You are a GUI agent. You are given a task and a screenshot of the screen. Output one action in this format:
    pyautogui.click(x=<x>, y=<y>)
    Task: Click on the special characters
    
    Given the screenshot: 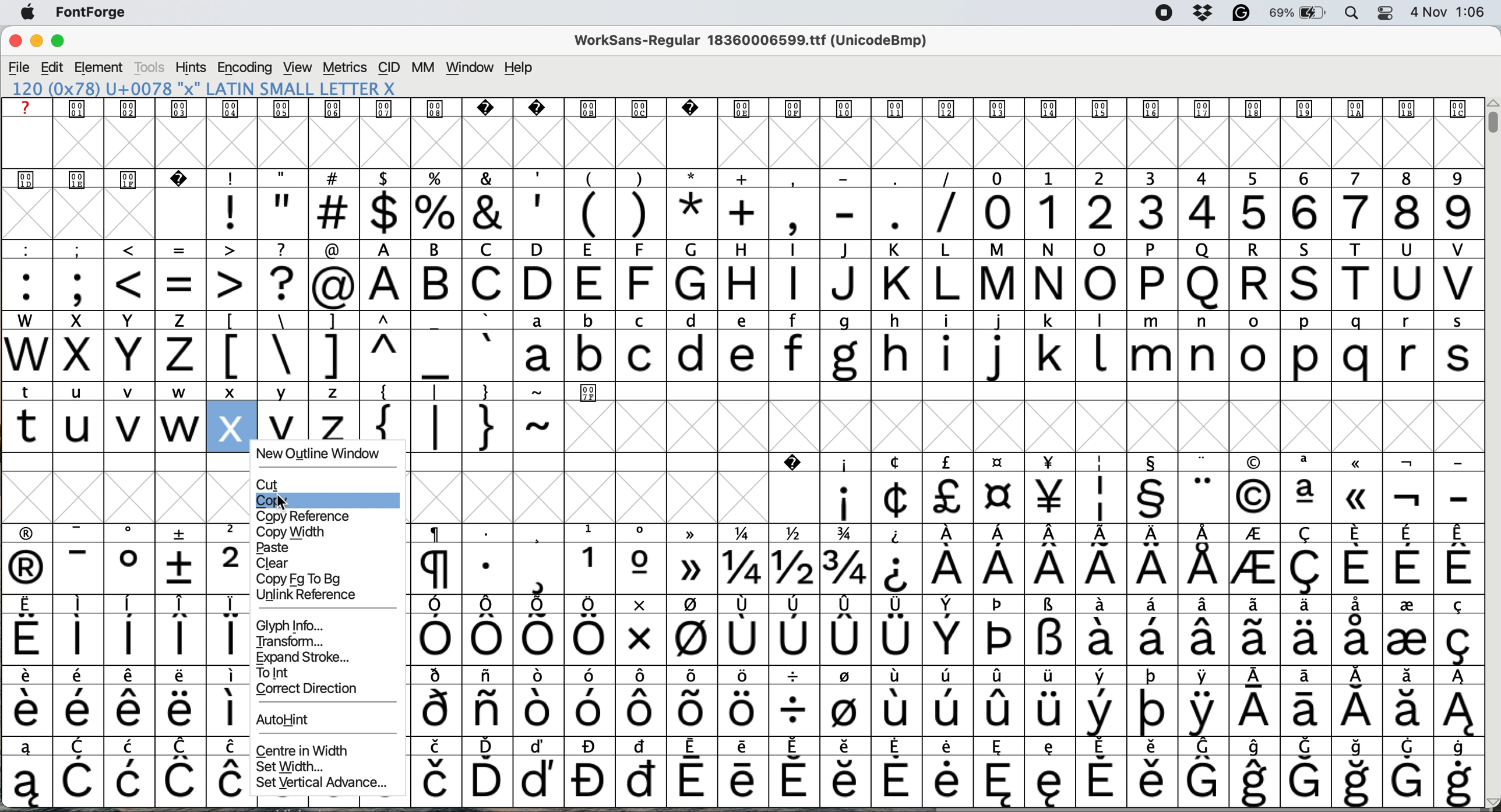 What is the action you would take?
    pyautogui.click(x=946, y=533)
    